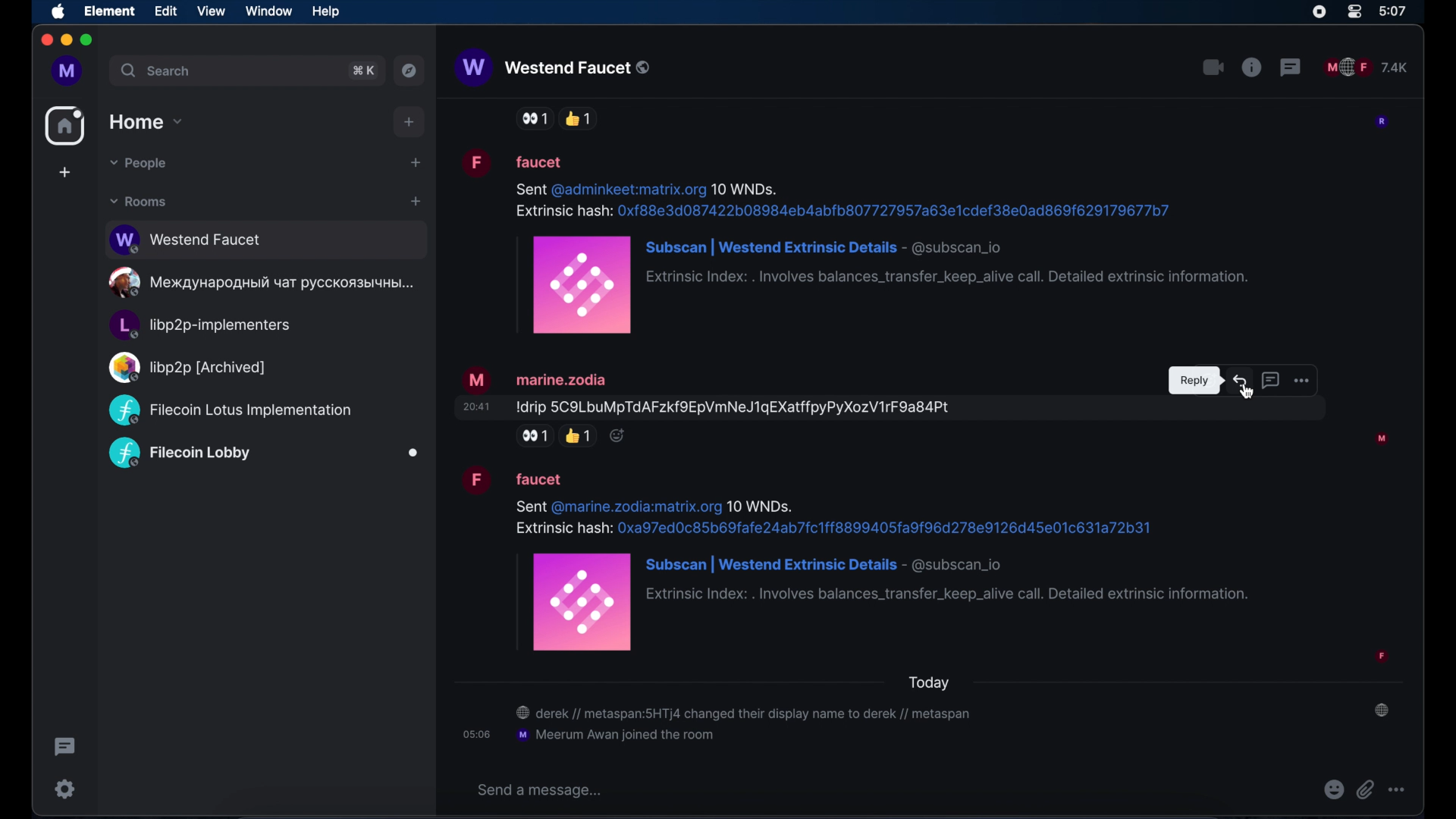 The height and width of the screenshot is (819, 1456). What do you see at coordinates (264, 454) in the screenshot?
I see `public room` at bounding box center [264, 454].